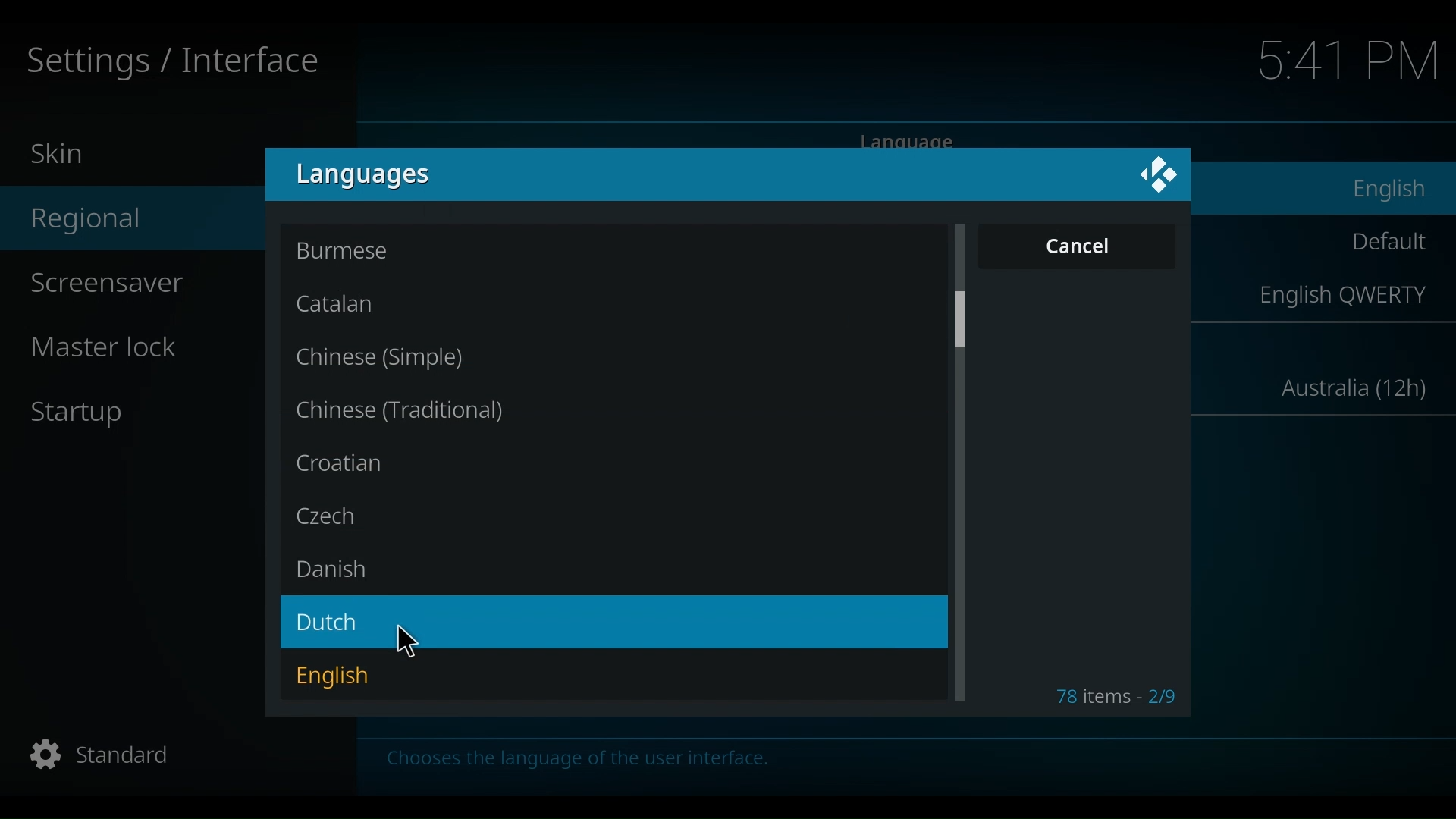 This screenshot has height=819, width=1456. What do you see at coordinates (1114, 696) in the screenshot?
I see `78 items` at bounding box center [1114, 696].